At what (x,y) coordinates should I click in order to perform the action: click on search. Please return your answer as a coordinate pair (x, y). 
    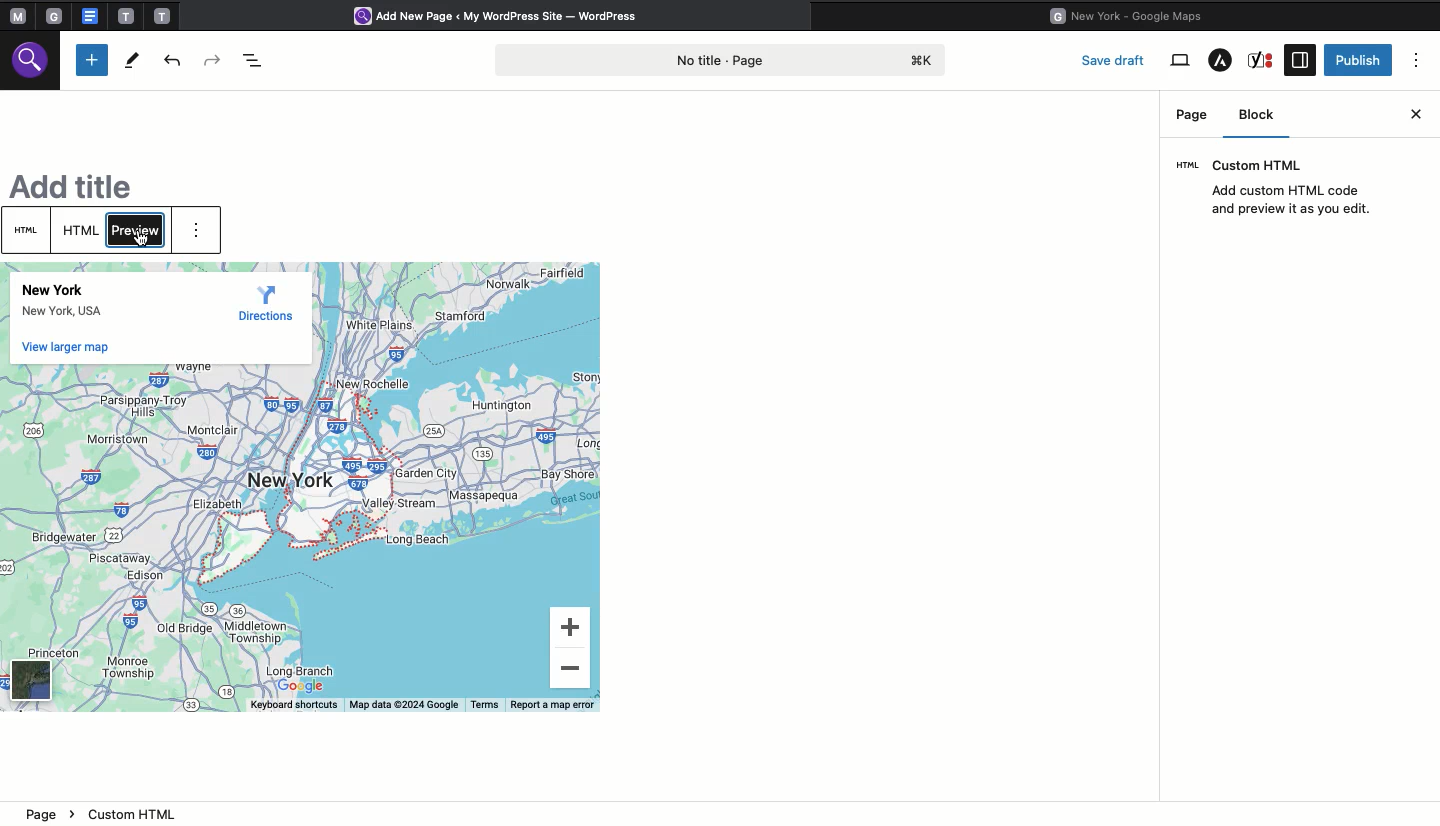
    Looking at the image, I should click on (33, 64).